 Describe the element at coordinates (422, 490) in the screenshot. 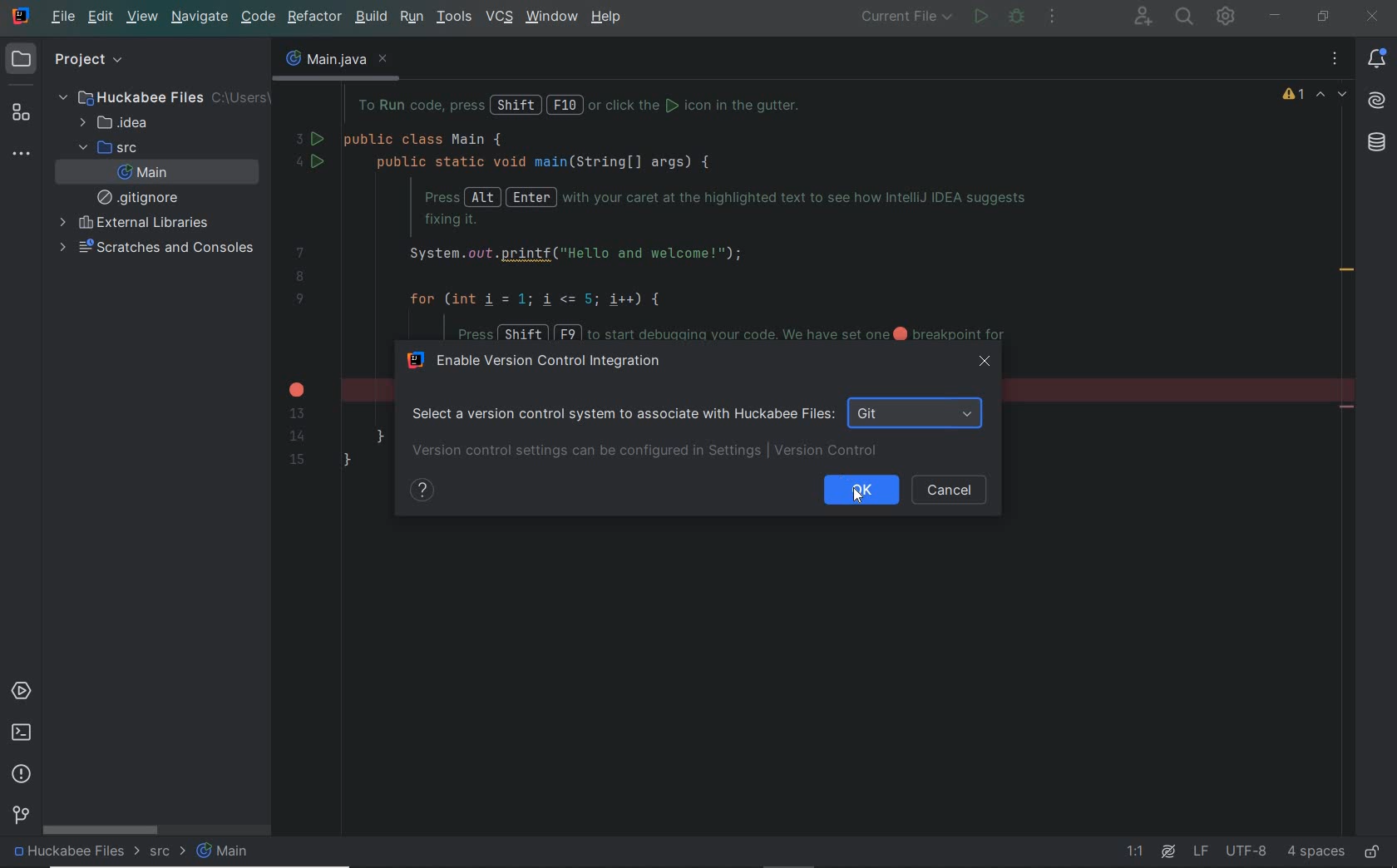

I see `show help contents` at that location.